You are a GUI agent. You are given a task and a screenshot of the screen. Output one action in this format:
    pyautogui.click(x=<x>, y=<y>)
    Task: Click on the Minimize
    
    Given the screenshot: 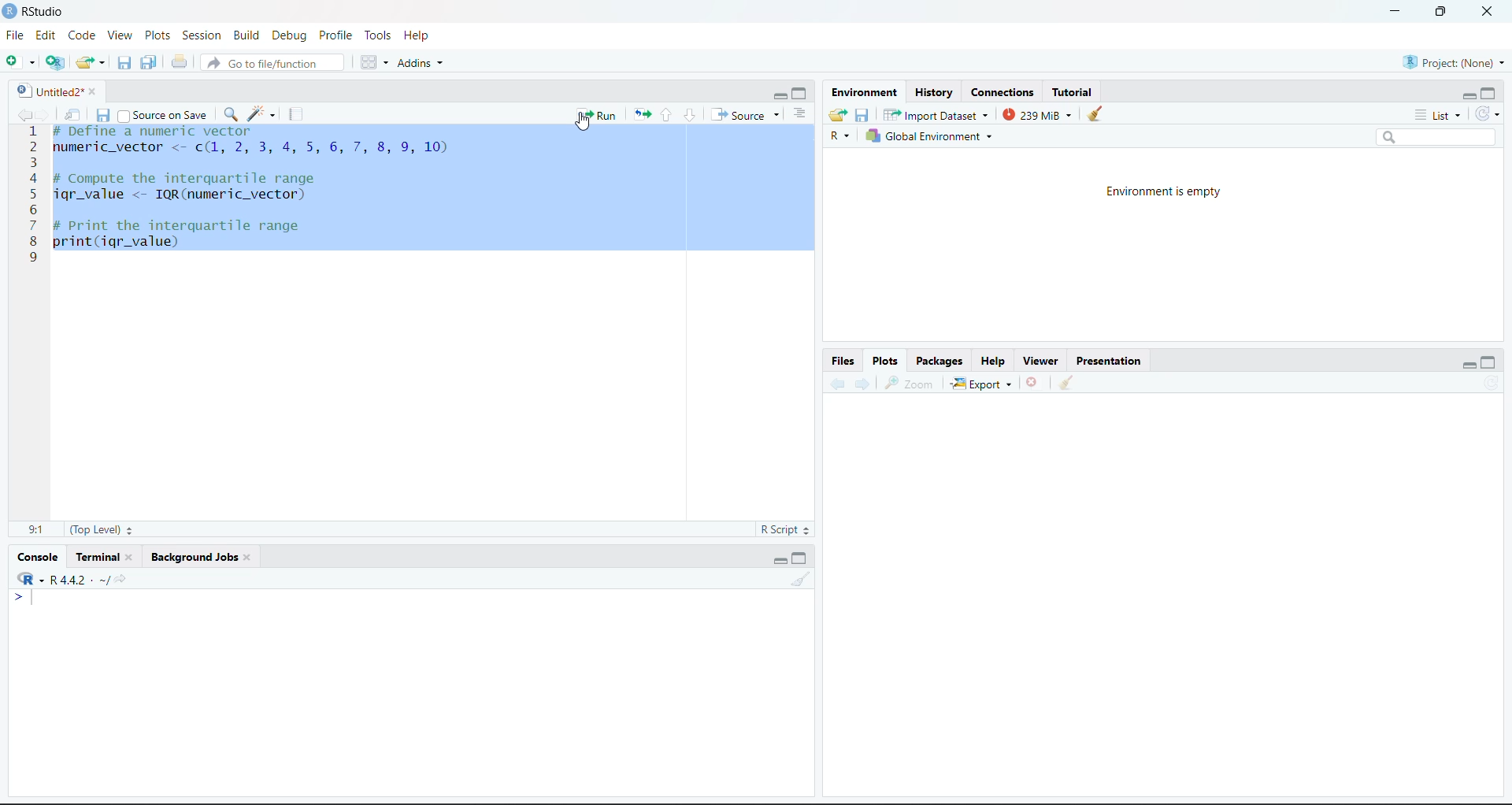 What is the action you would take?
    pyautogui.click(x=1467, y=95)
    